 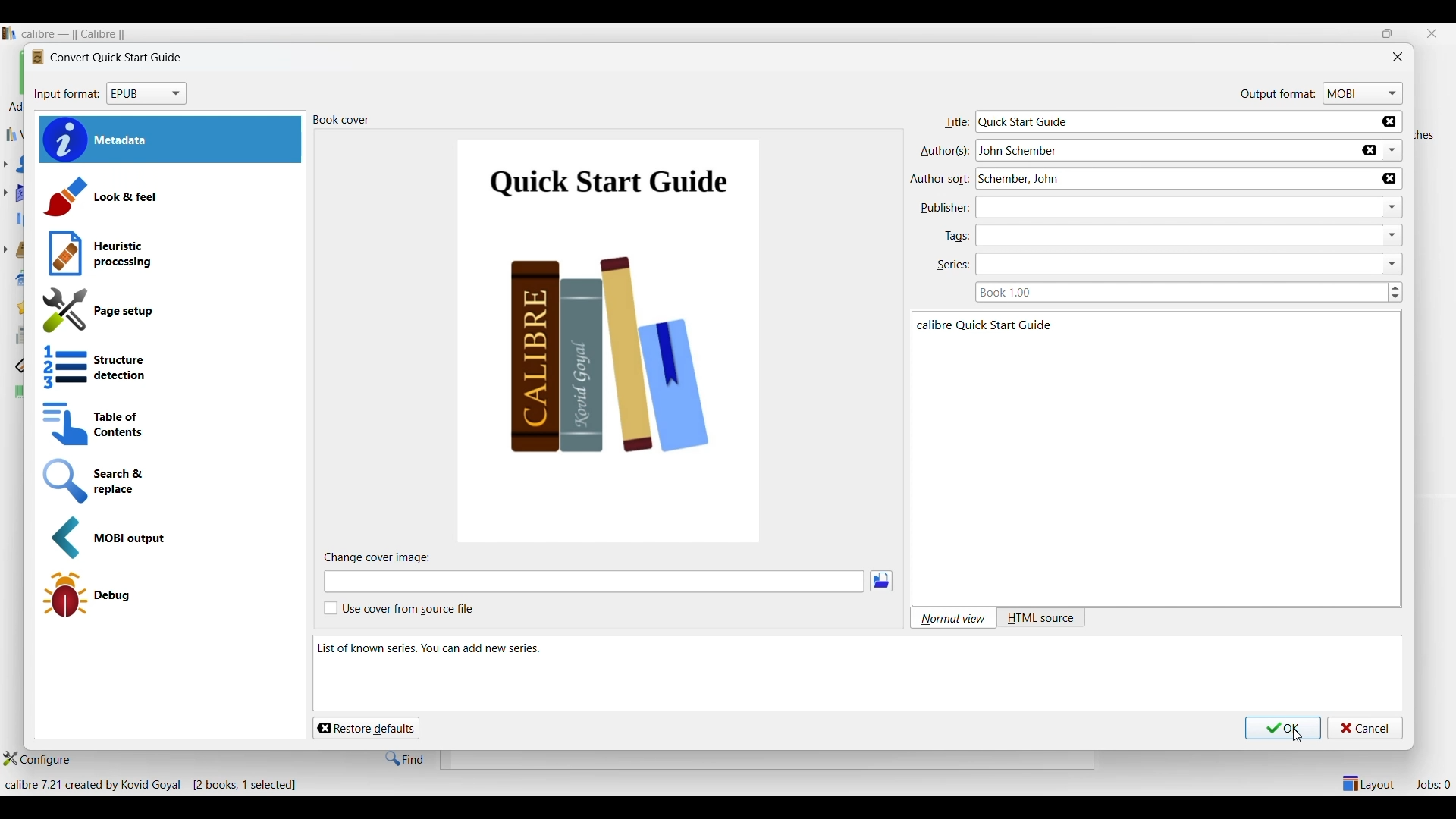 What do you see at coordinates (1040, 618) in the screenshot?
I see `HTML source` at bounding box center [1040, 618].